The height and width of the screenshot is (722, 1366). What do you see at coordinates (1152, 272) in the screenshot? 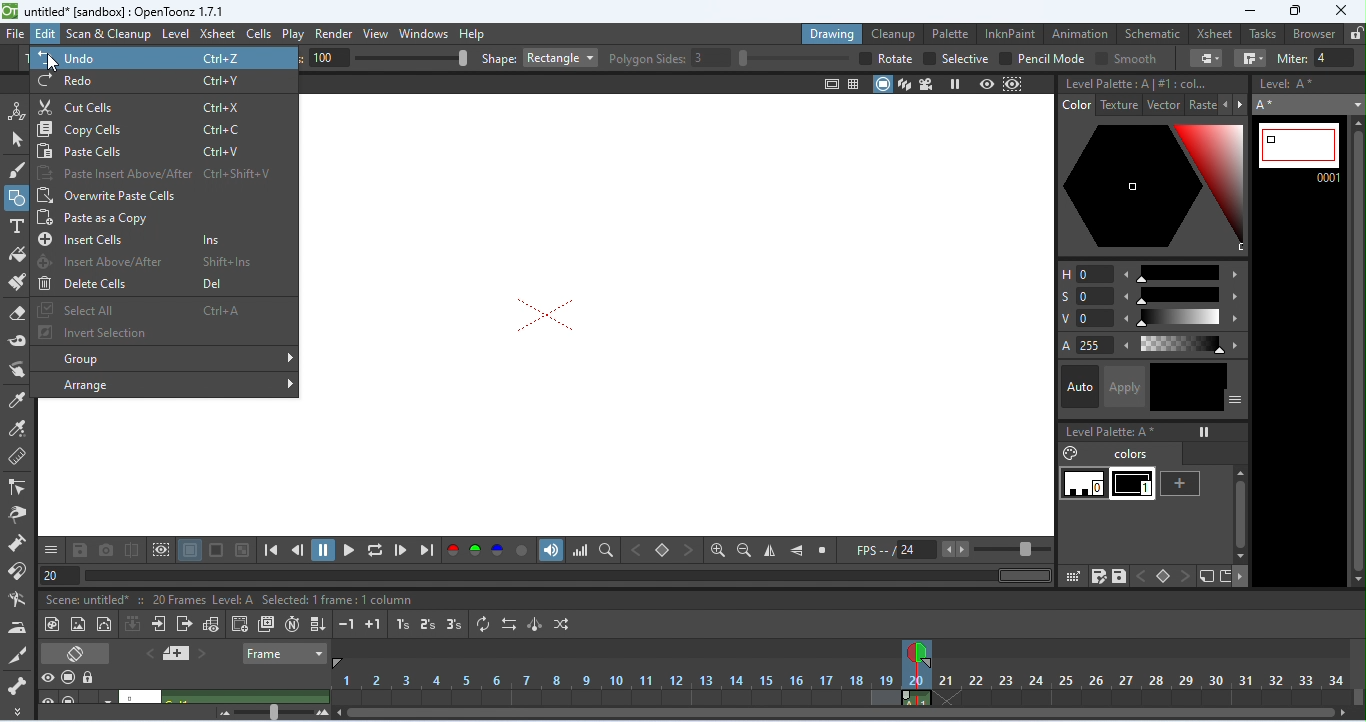
I see `Hue` at bounding box center [1152, 272].